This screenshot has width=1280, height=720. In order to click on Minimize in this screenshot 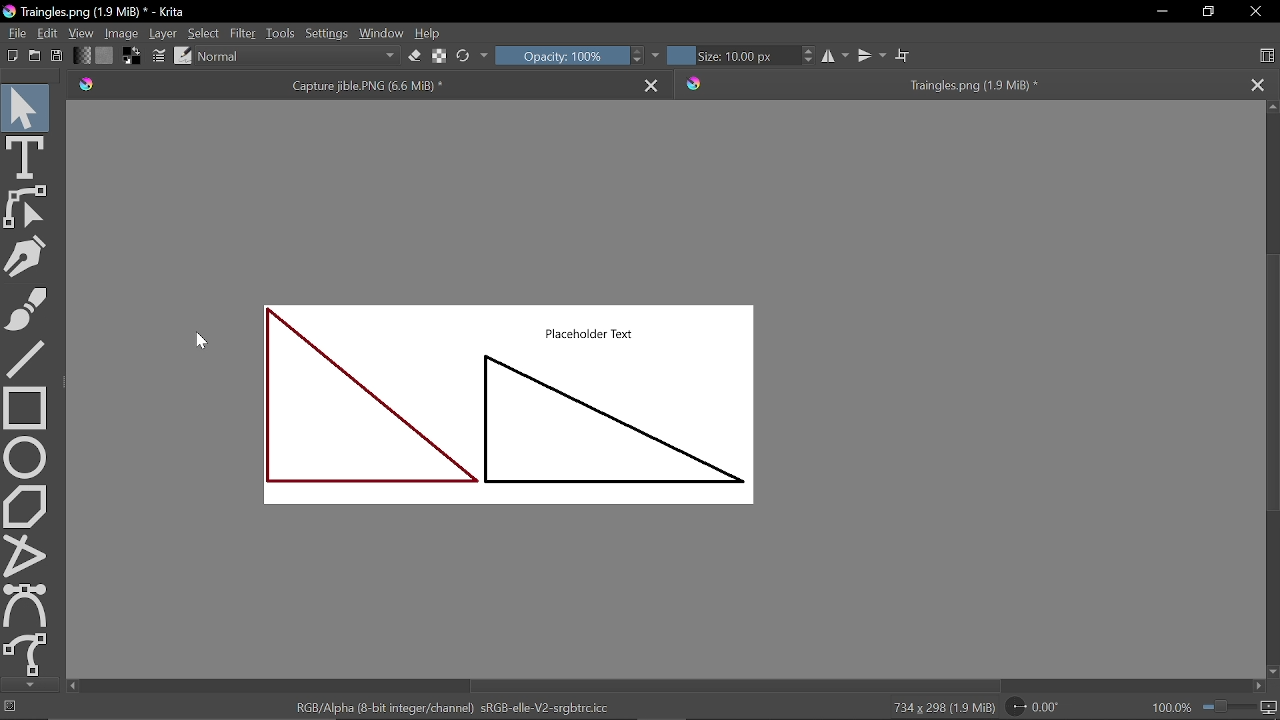, I will do `click(1164, 11)`.